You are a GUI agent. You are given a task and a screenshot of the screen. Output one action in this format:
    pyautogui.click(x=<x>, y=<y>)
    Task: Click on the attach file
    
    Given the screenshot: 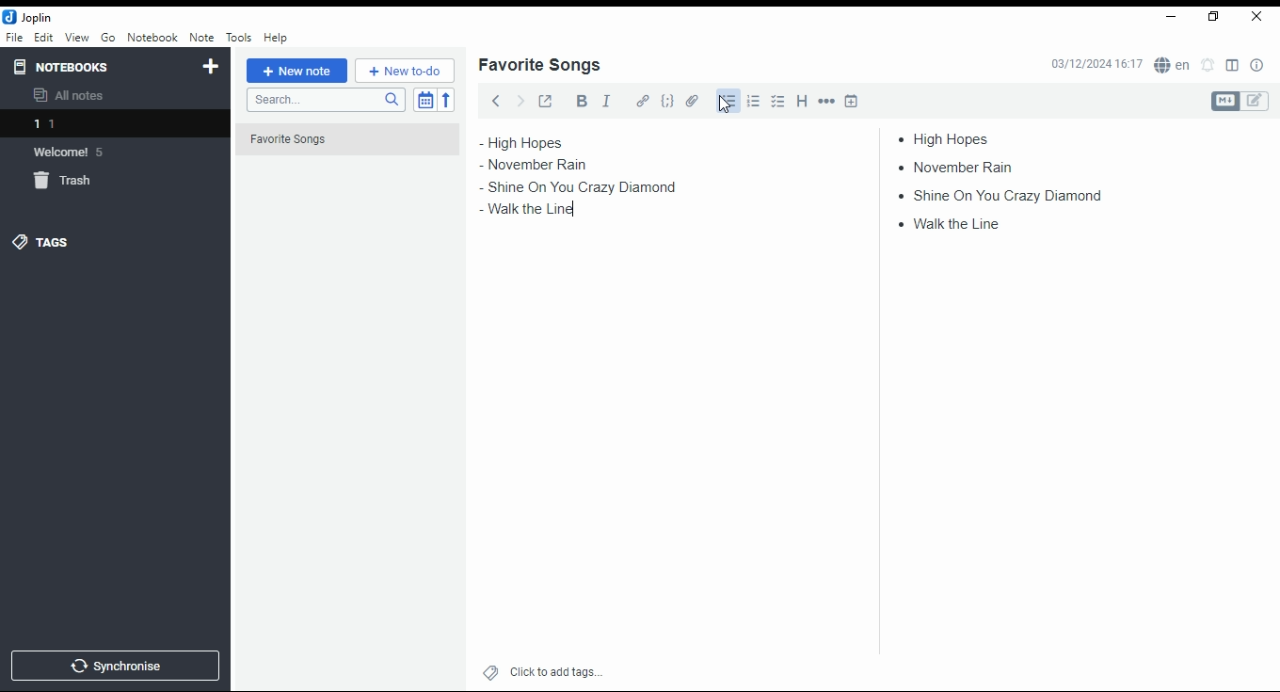 What is the action you would take?
    pyautogui.click(x=693, y=100)
    